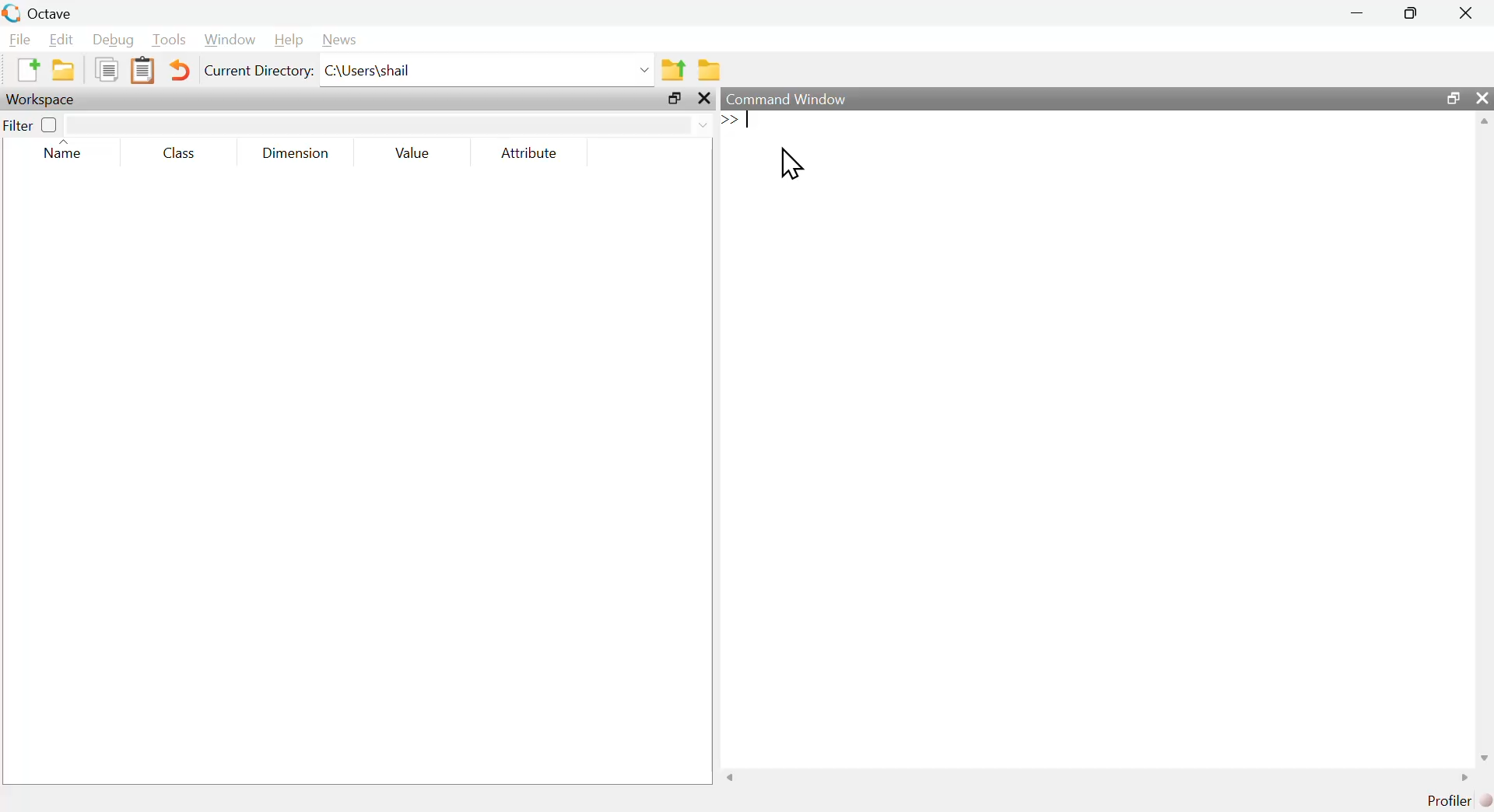  Describe the element at coordinates (389, 123) in the screenshot. I see `dropdown` at that location.